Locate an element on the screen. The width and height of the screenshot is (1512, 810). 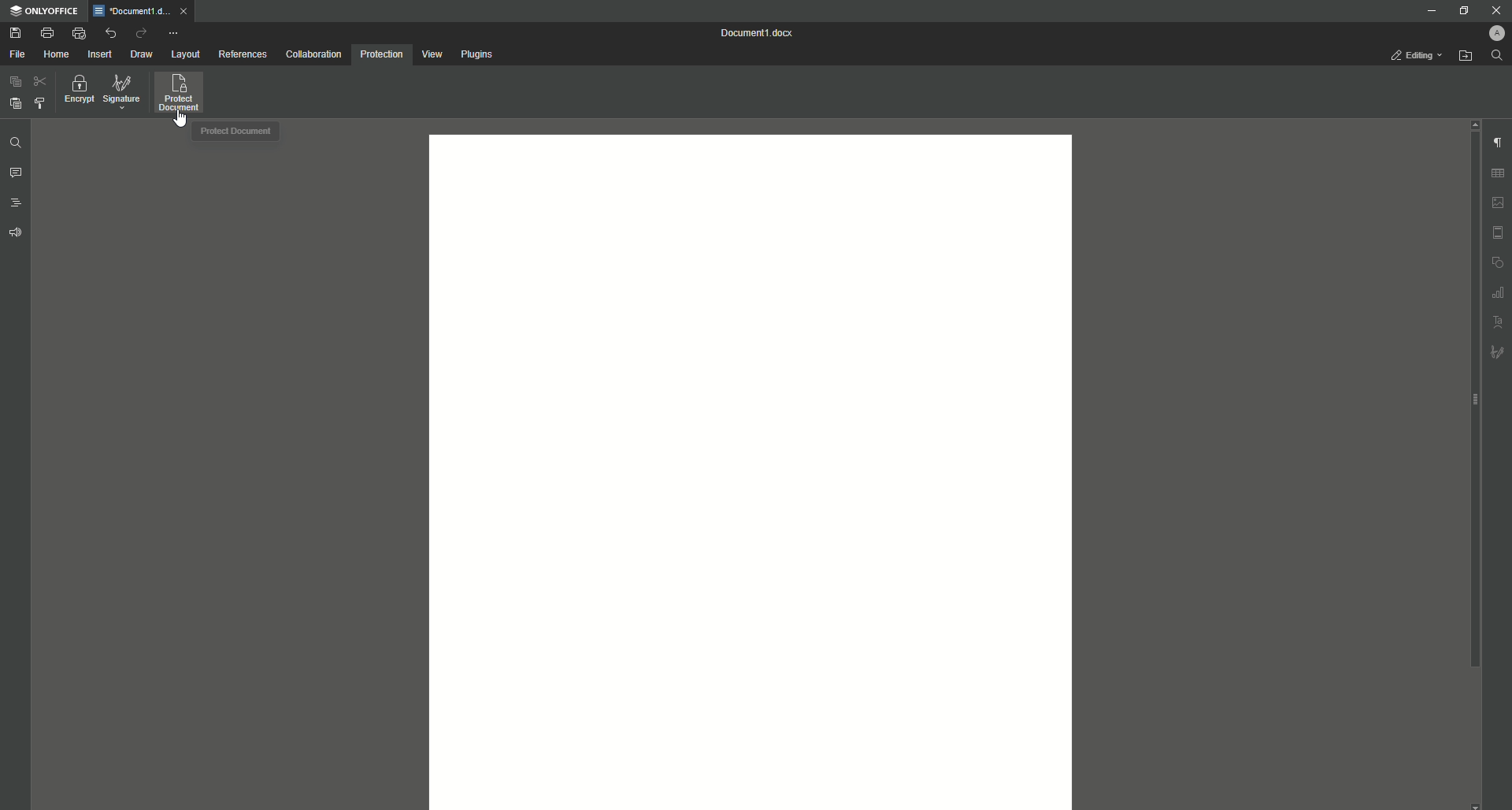
Signature settings is located at coordinates (1499, 354).